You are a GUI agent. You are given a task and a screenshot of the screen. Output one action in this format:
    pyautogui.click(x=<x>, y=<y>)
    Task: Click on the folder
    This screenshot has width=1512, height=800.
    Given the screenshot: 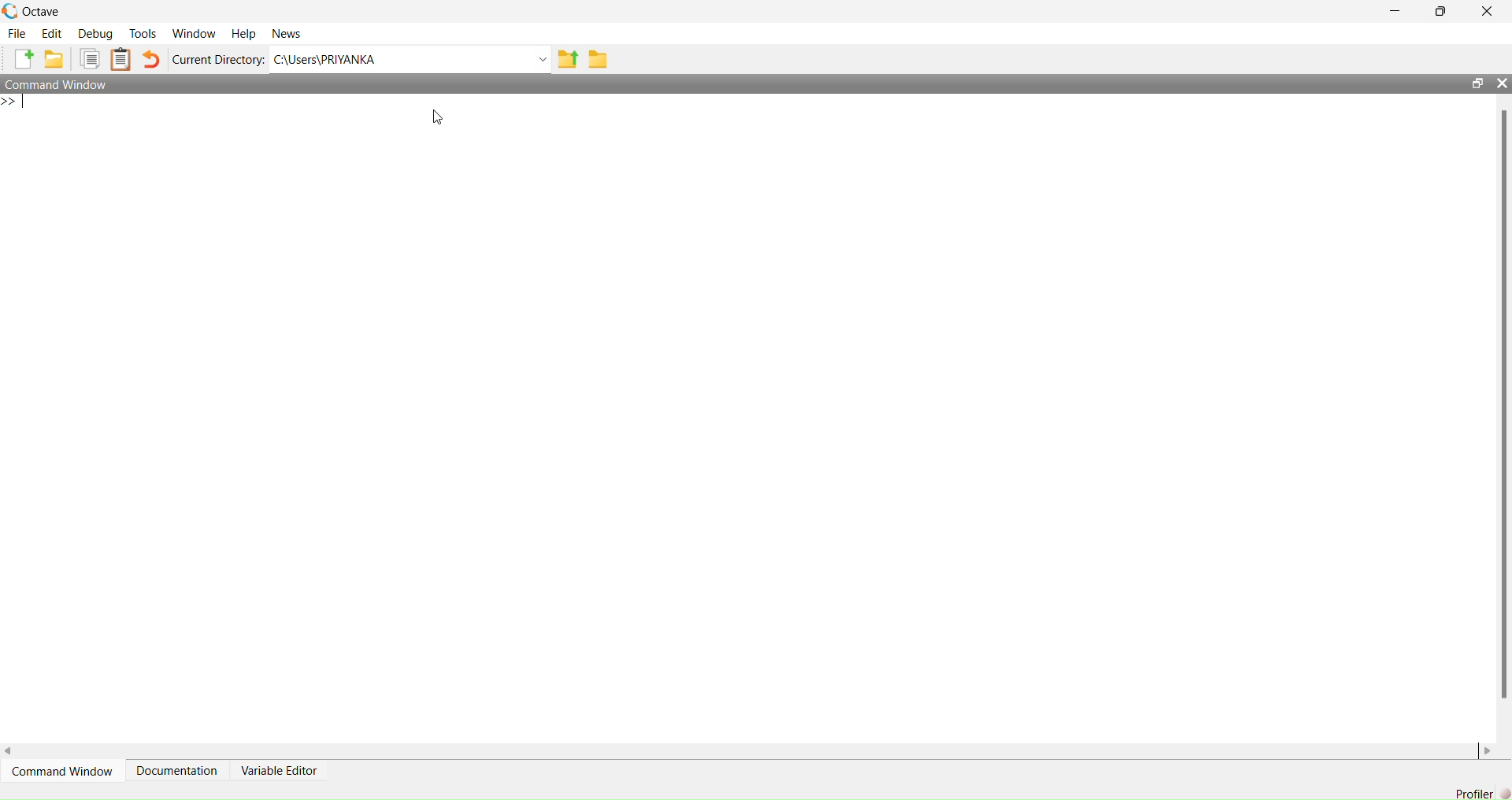 What is the action you would take?
    pyautogui.click(x=599, y=59)
    